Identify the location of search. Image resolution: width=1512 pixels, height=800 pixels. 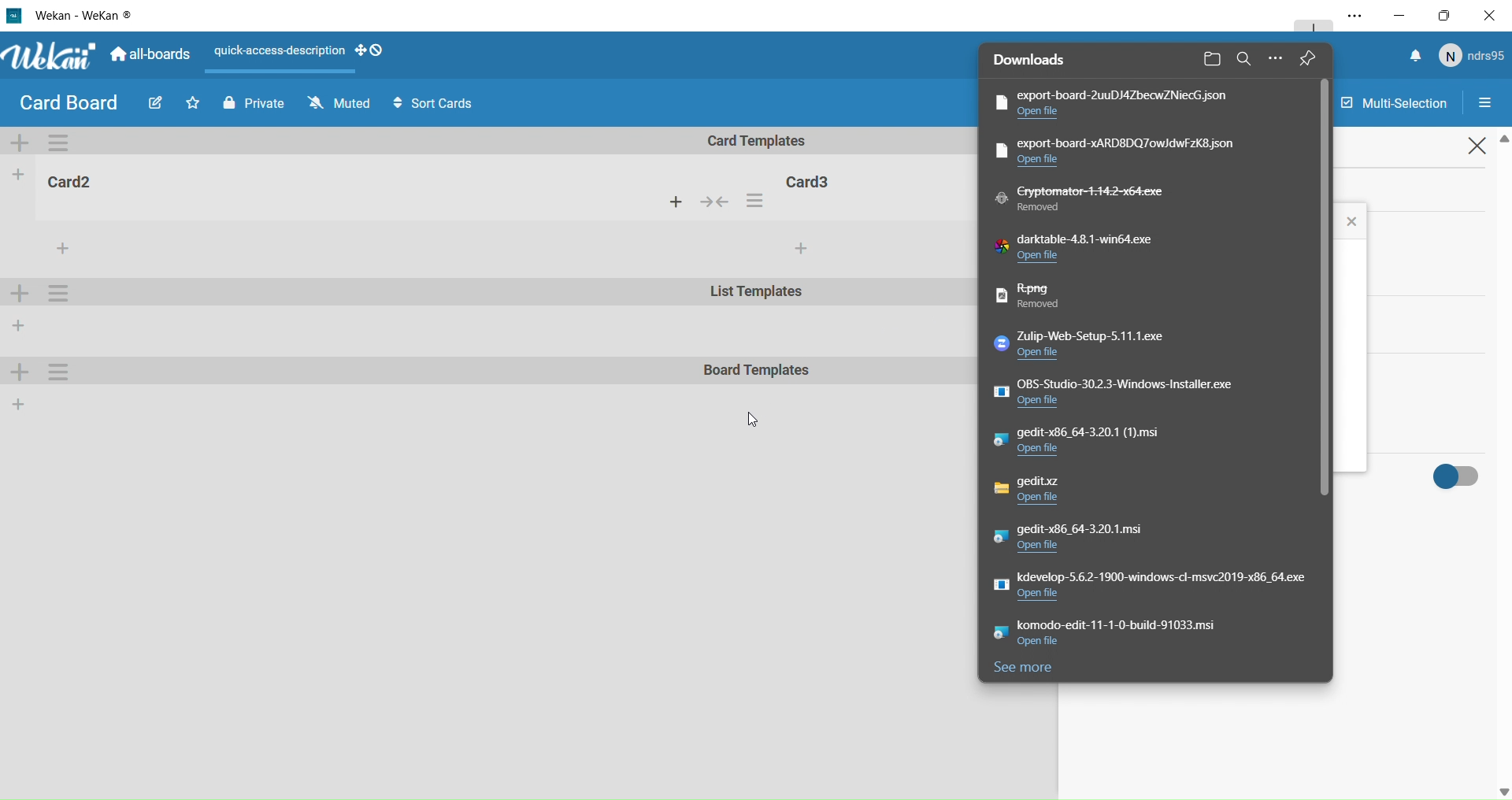
(1242, 58).